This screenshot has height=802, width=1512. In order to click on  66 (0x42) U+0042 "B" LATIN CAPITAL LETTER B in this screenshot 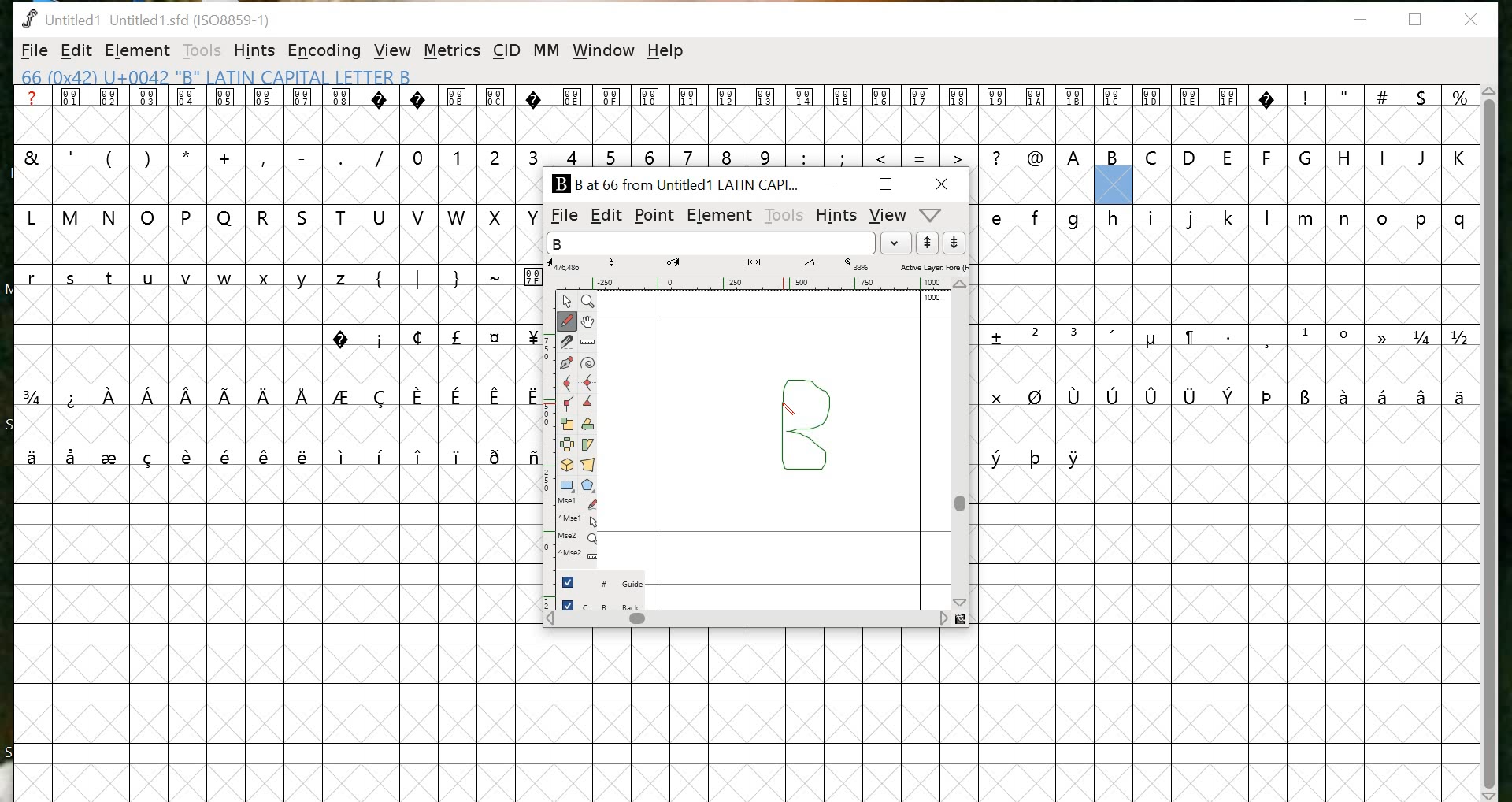, I will do `click(220, 76)`.